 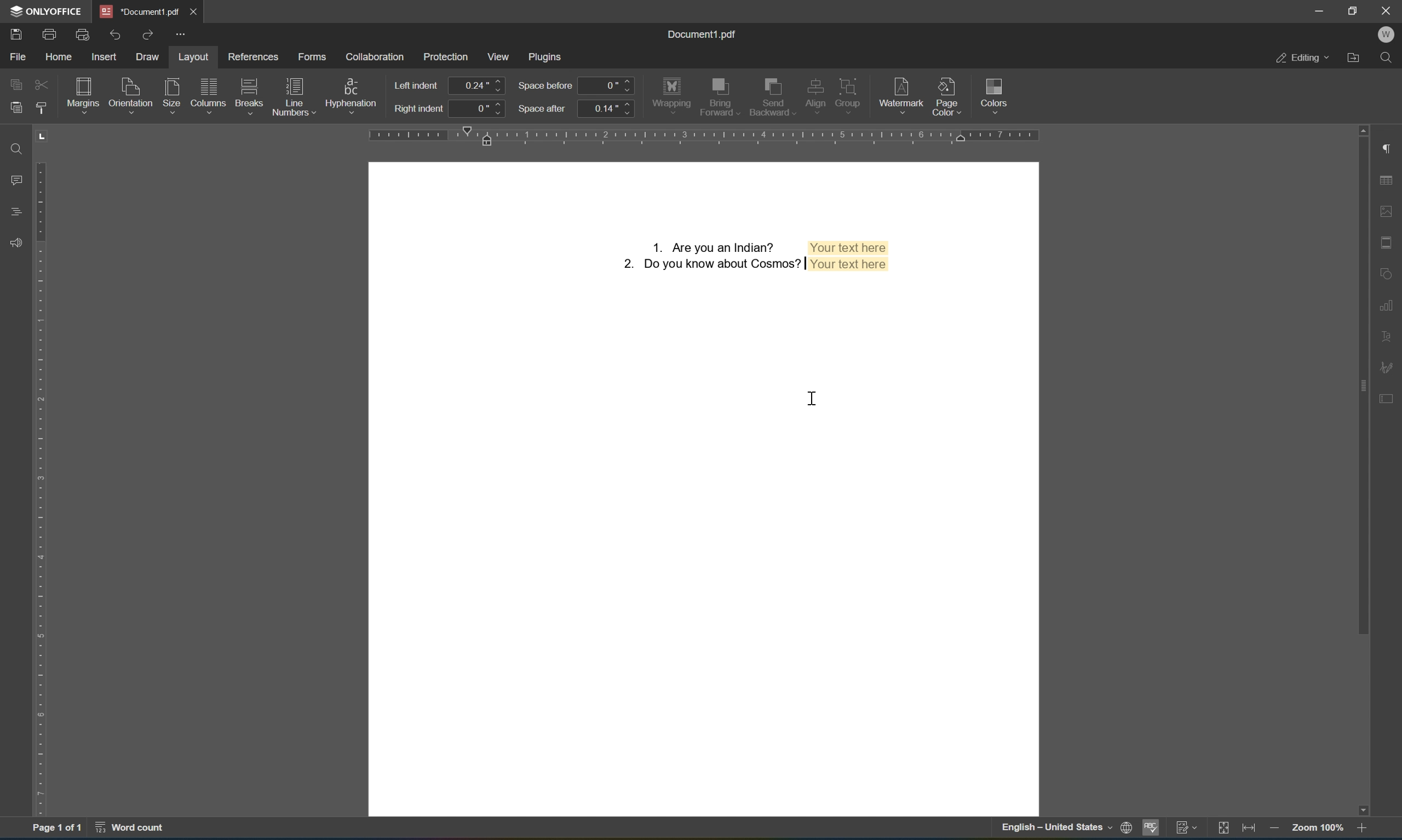 What do you see at coordinates (258, 57) in the screenshot?
I see `refernces` at bounding box center [258, 57].